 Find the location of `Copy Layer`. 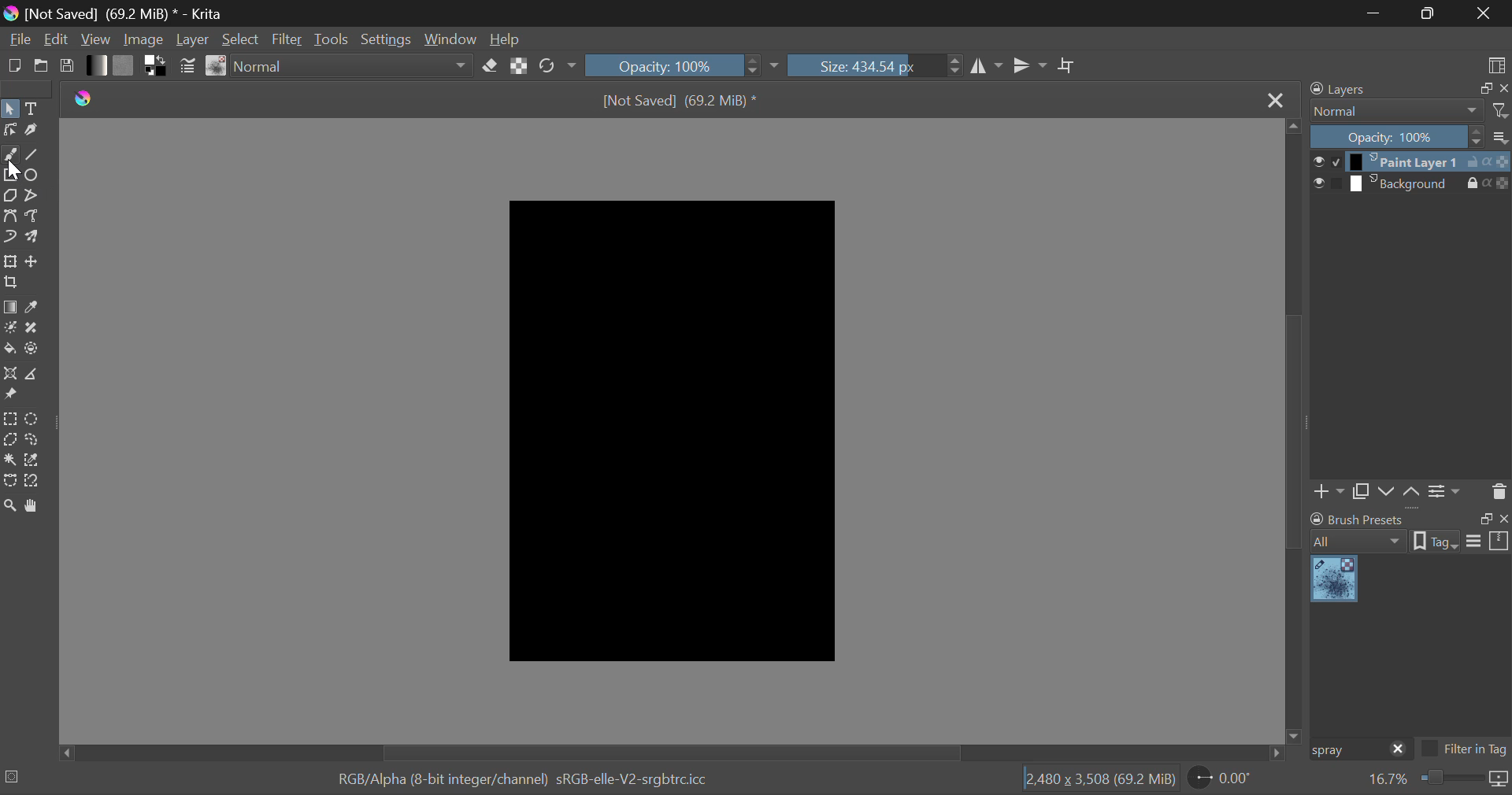

Copy Layer is located at coordinates (1361, 494).